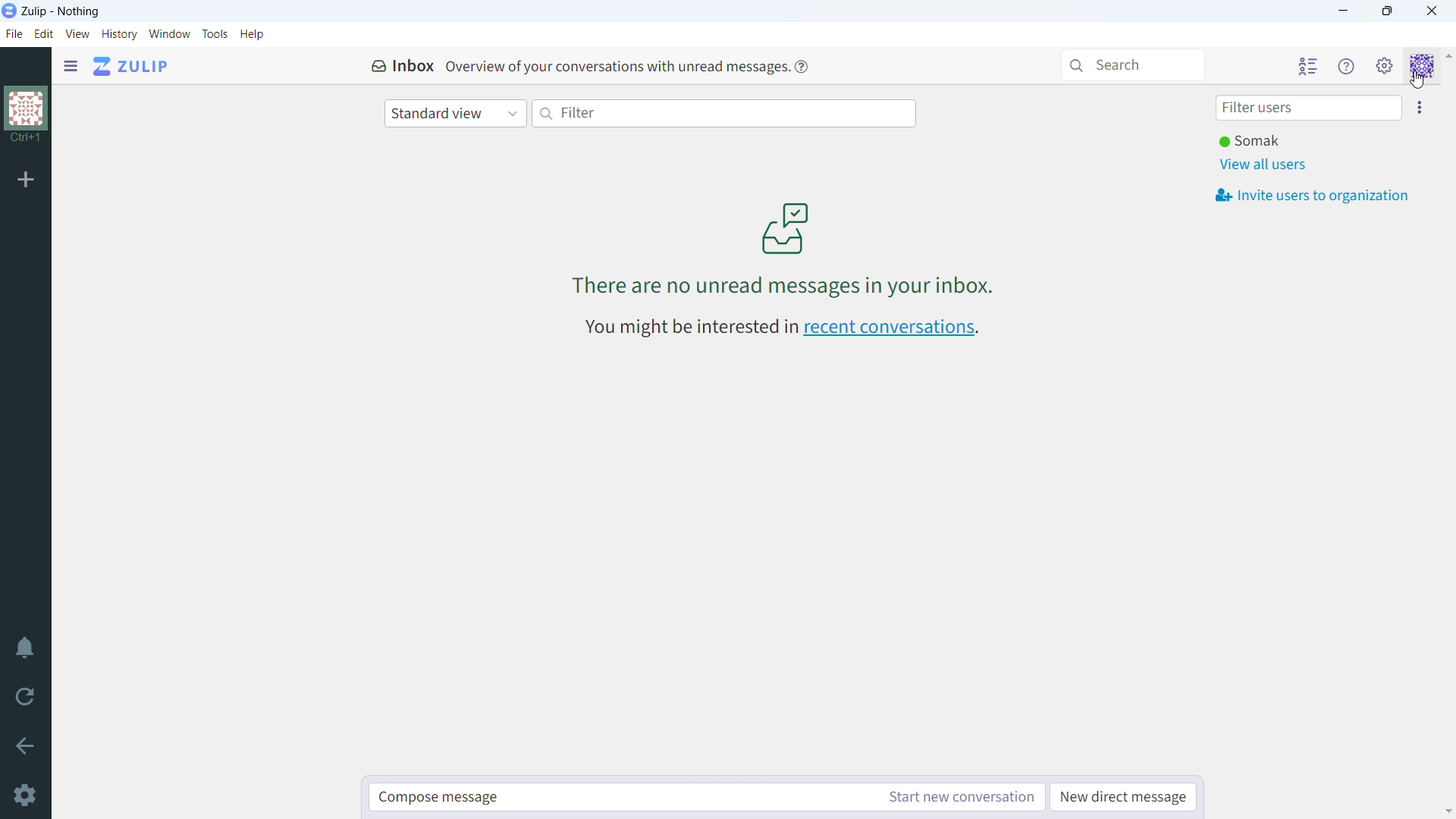  What do you see at coordinates (1255, 142) in the screenshot?
I see `active status` at bounding box center [1255, 142].